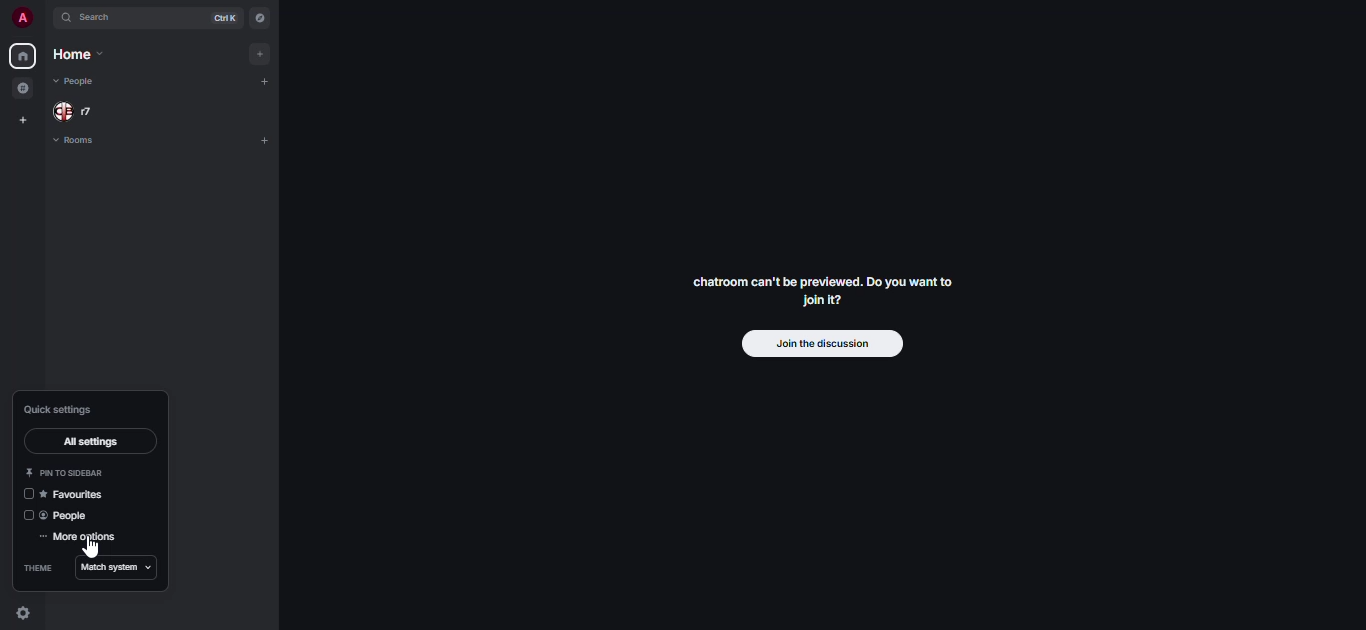 The width and height of the screenshot is (1366, 630). Describe the element at coordinates (822, 343) in the screenshot. I see `join the discussion` at that location.